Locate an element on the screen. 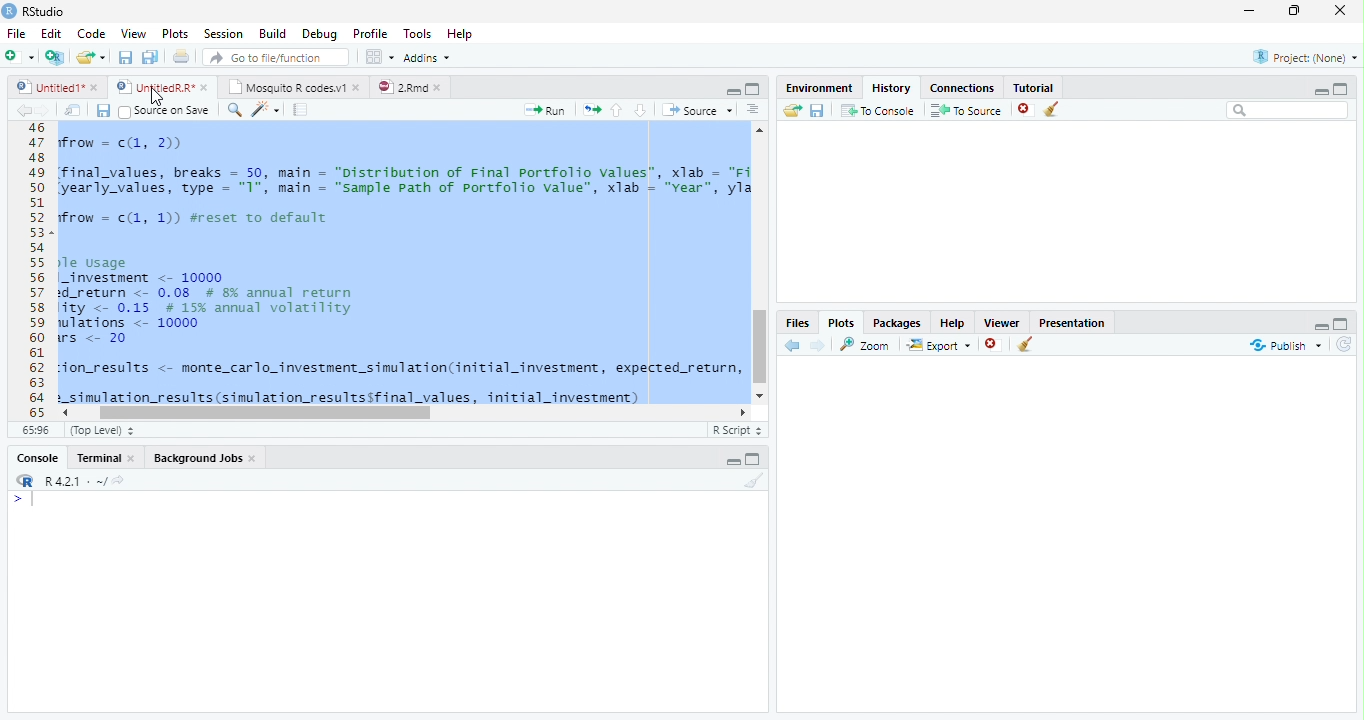 The image size is (1364, 720). Plots is located at coordinates (174, 34).